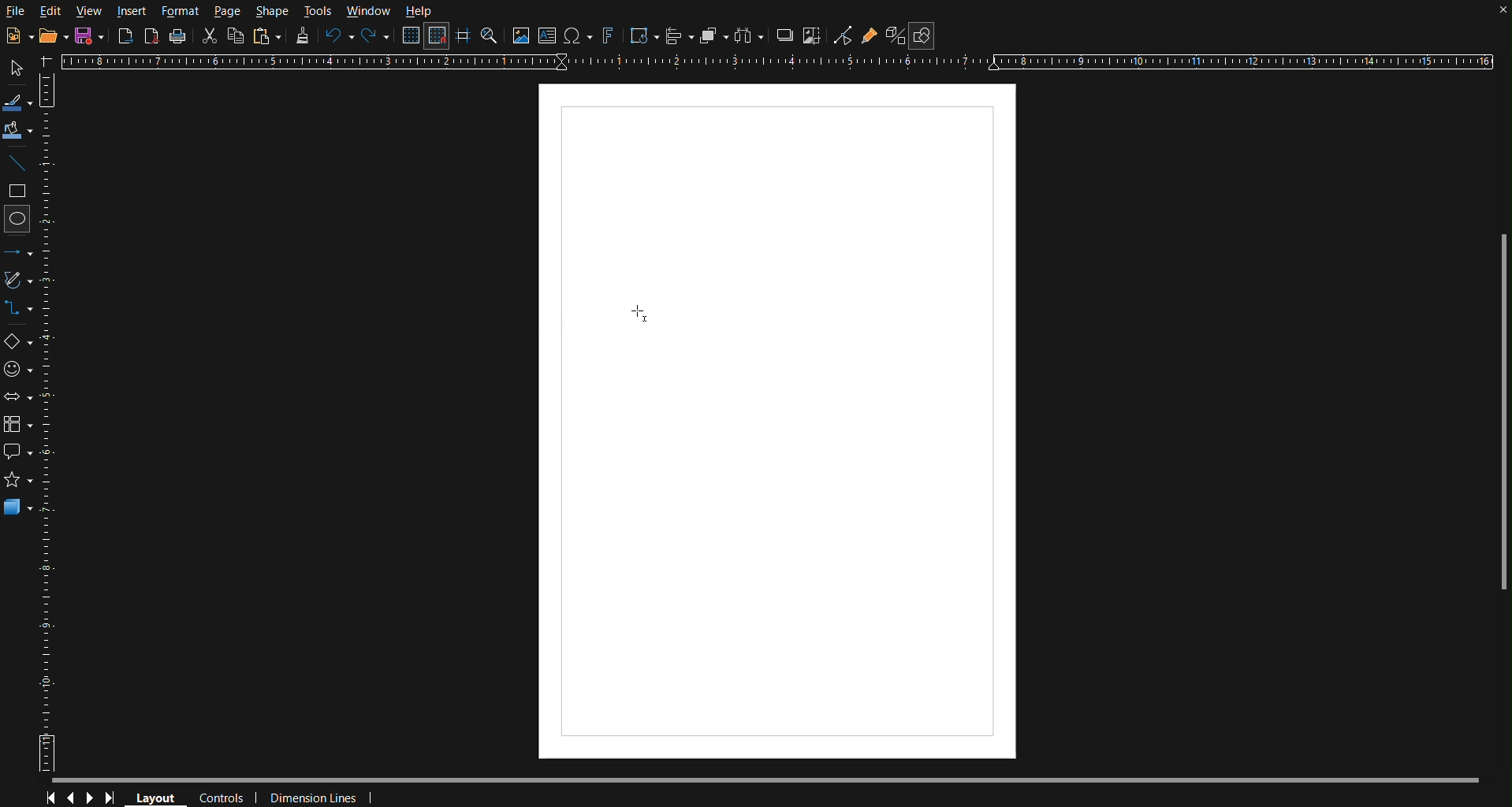  Describe the element at coordinates (229, 11) in the screenshot. I see `Page` at that location.